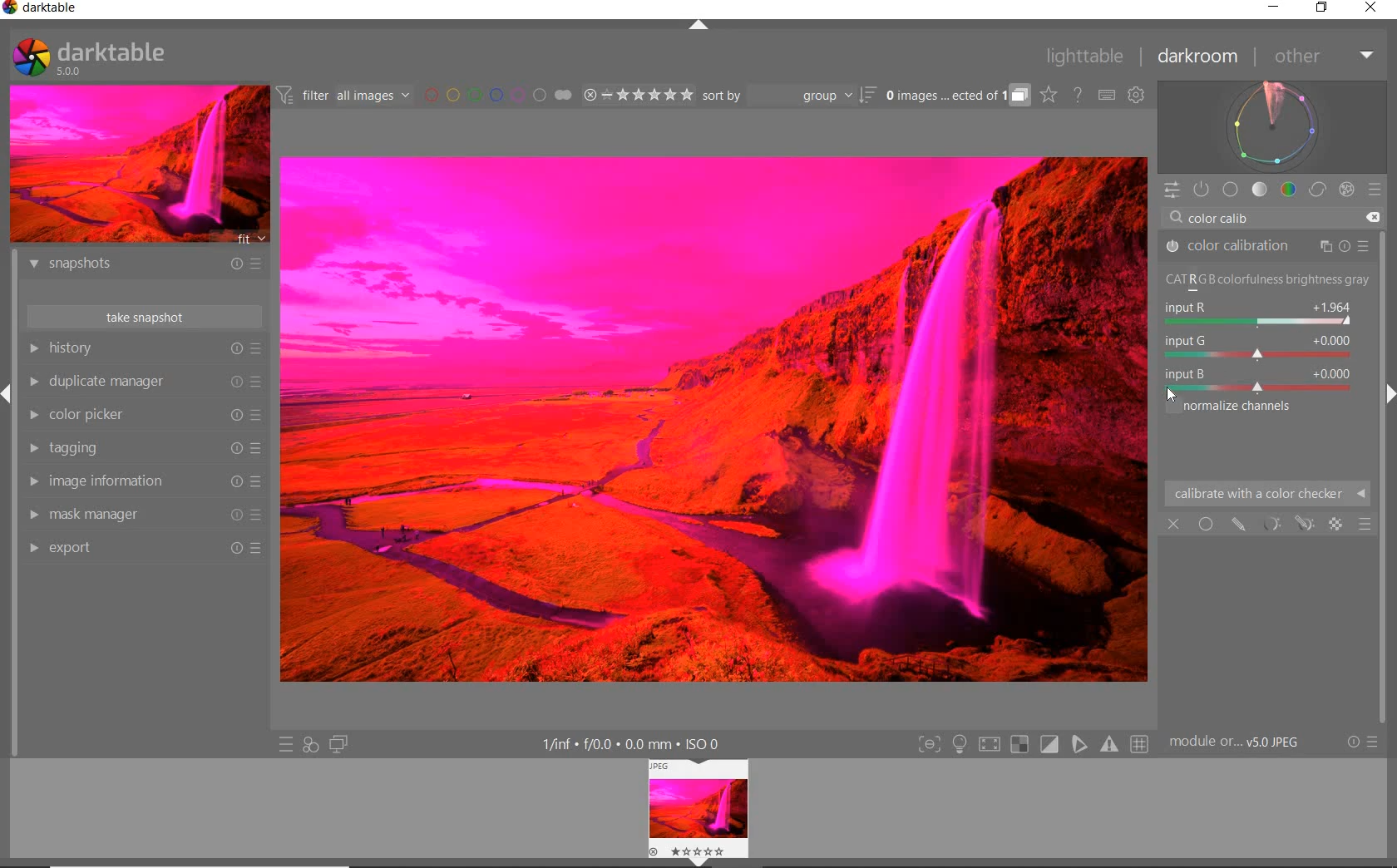  What do you see at coordinates (958, 96) in the screenshot?
I see `EXPAND GROUPED IMAGES` at bounding box center [958, 96].